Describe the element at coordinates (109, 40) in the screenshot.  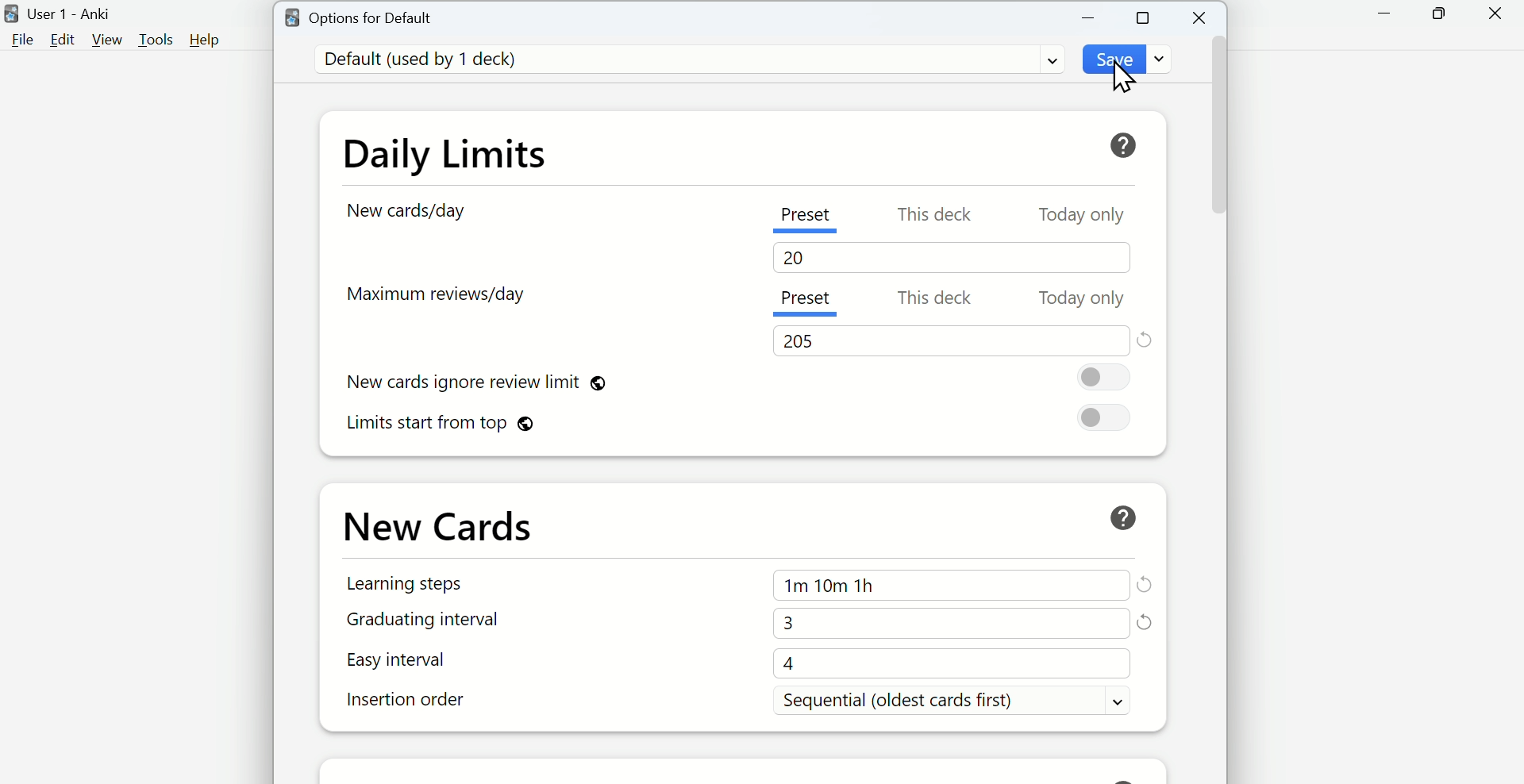
I see `View` at that location.